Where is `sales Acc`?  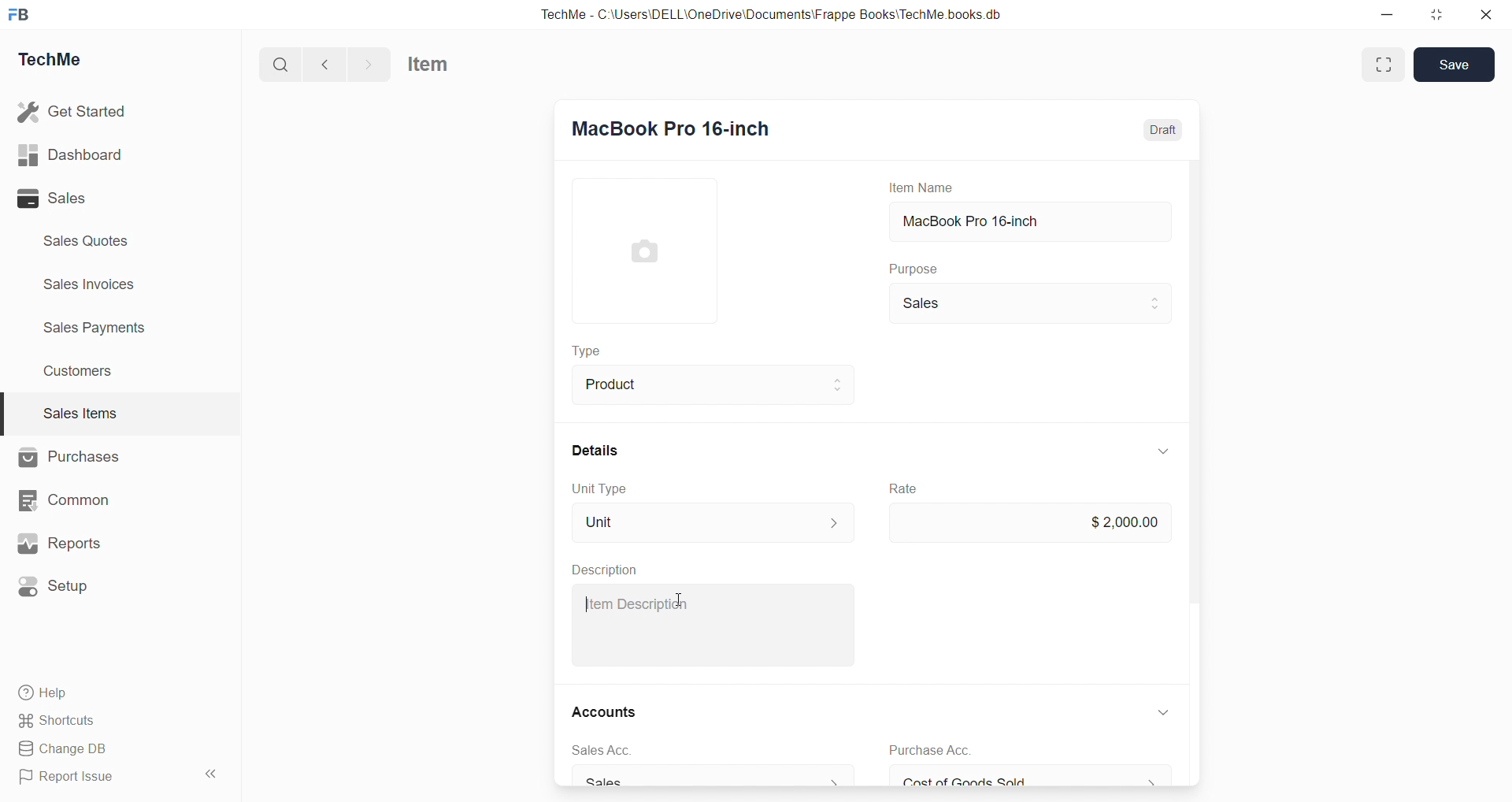
sales Acc is located at coordinates (600, 751).